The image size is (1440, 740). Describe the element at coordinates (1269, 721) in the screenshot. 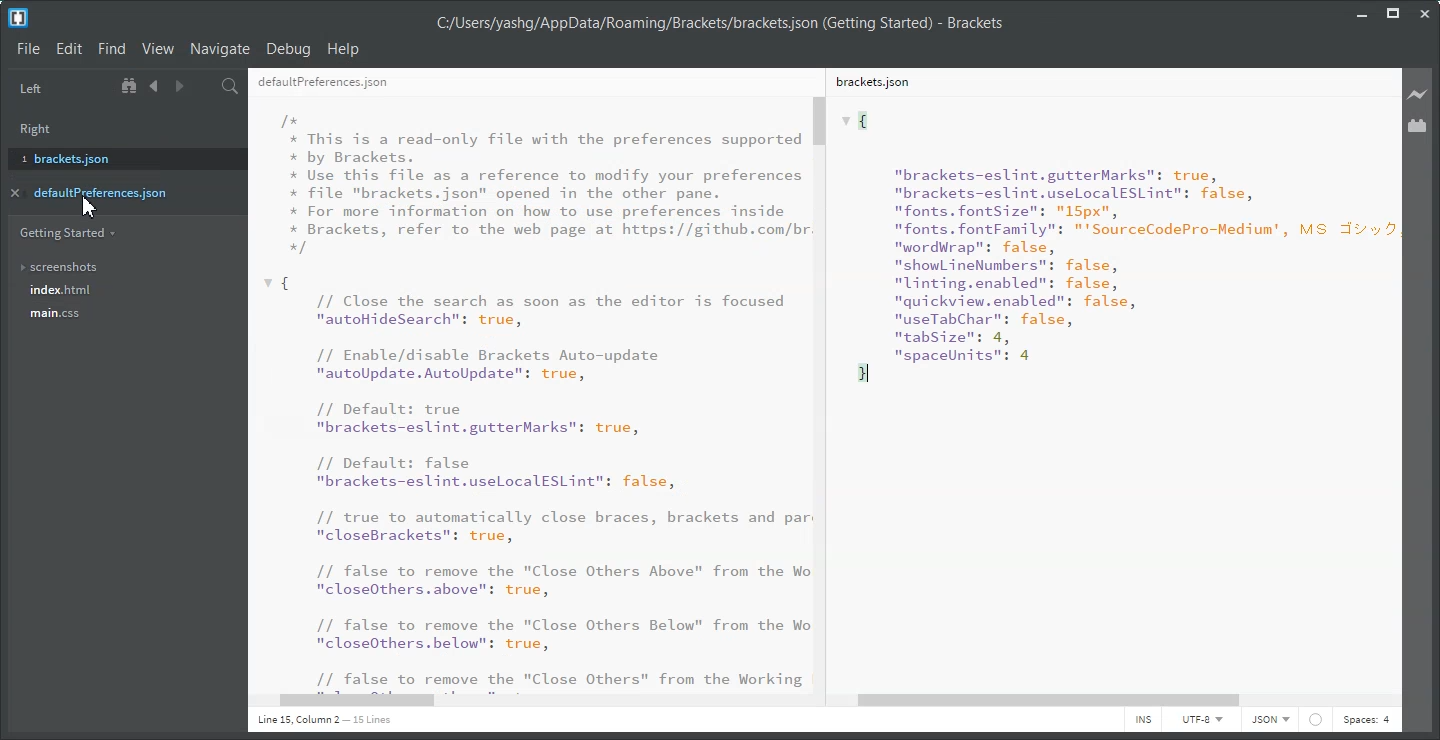

I see `HTML` at that location.